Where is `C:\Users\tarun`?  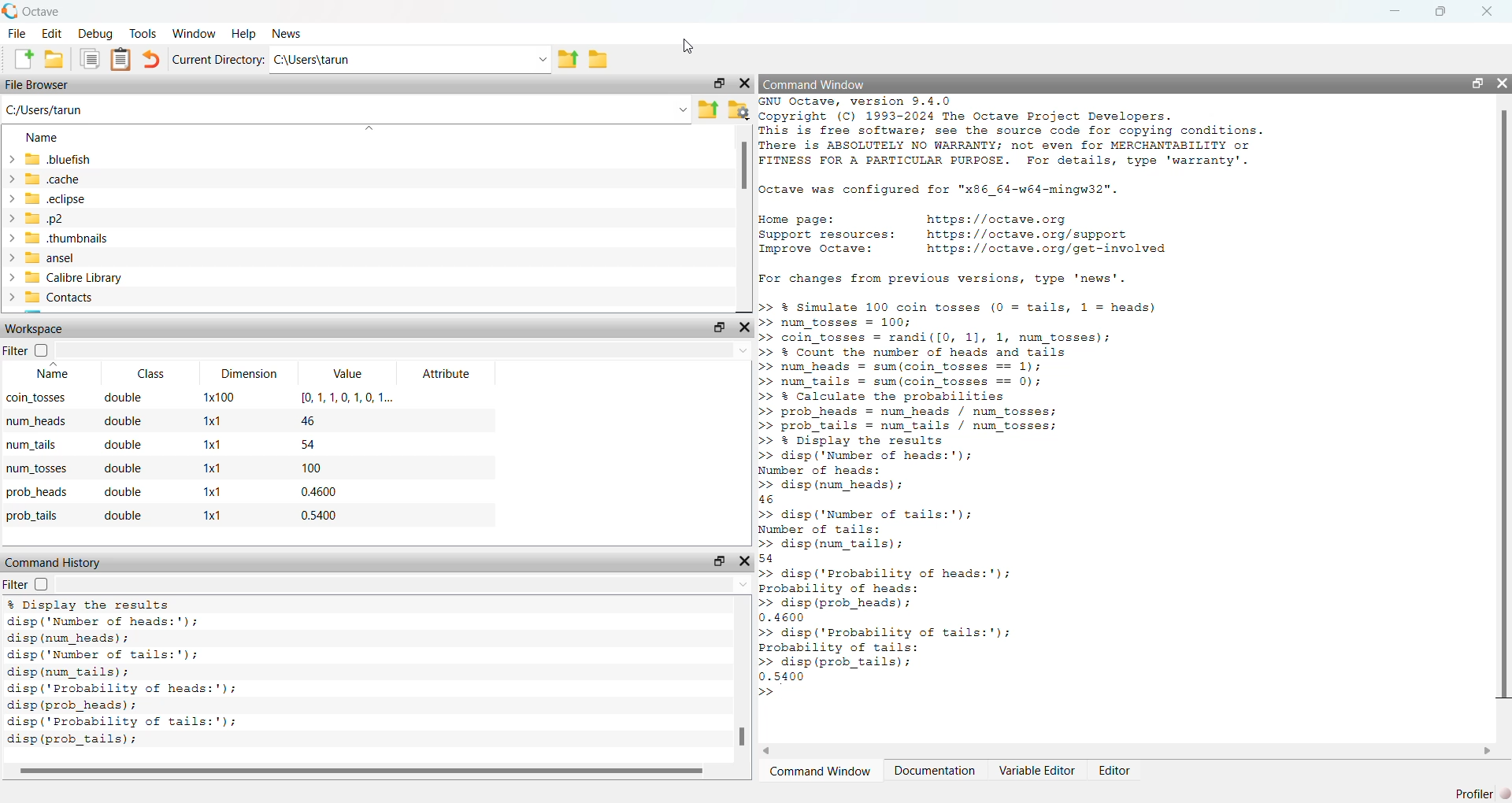
C:\Users\tarun is located at coordinates (46, 109).